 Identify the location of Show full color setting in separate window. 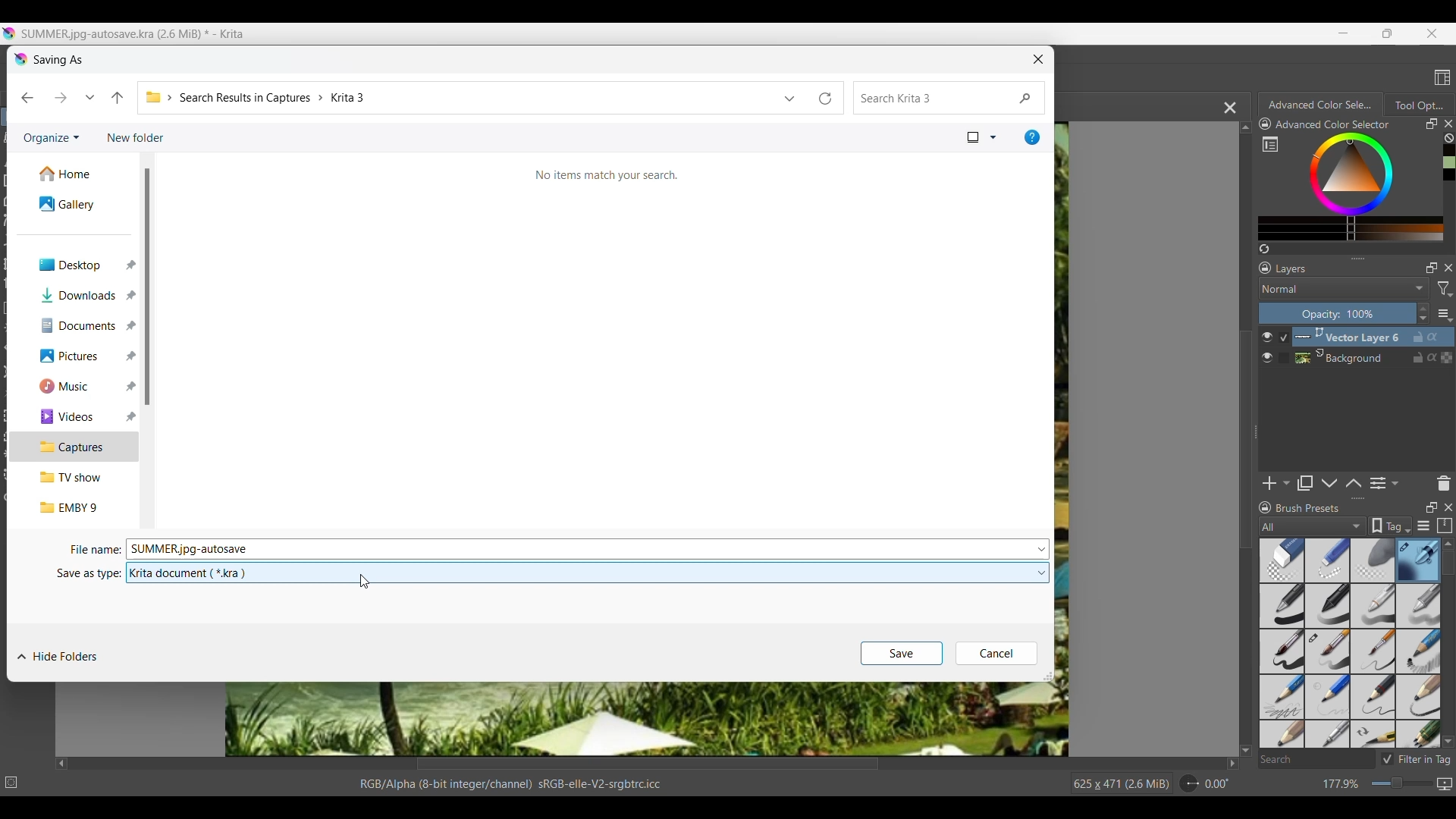
(1270, 144).